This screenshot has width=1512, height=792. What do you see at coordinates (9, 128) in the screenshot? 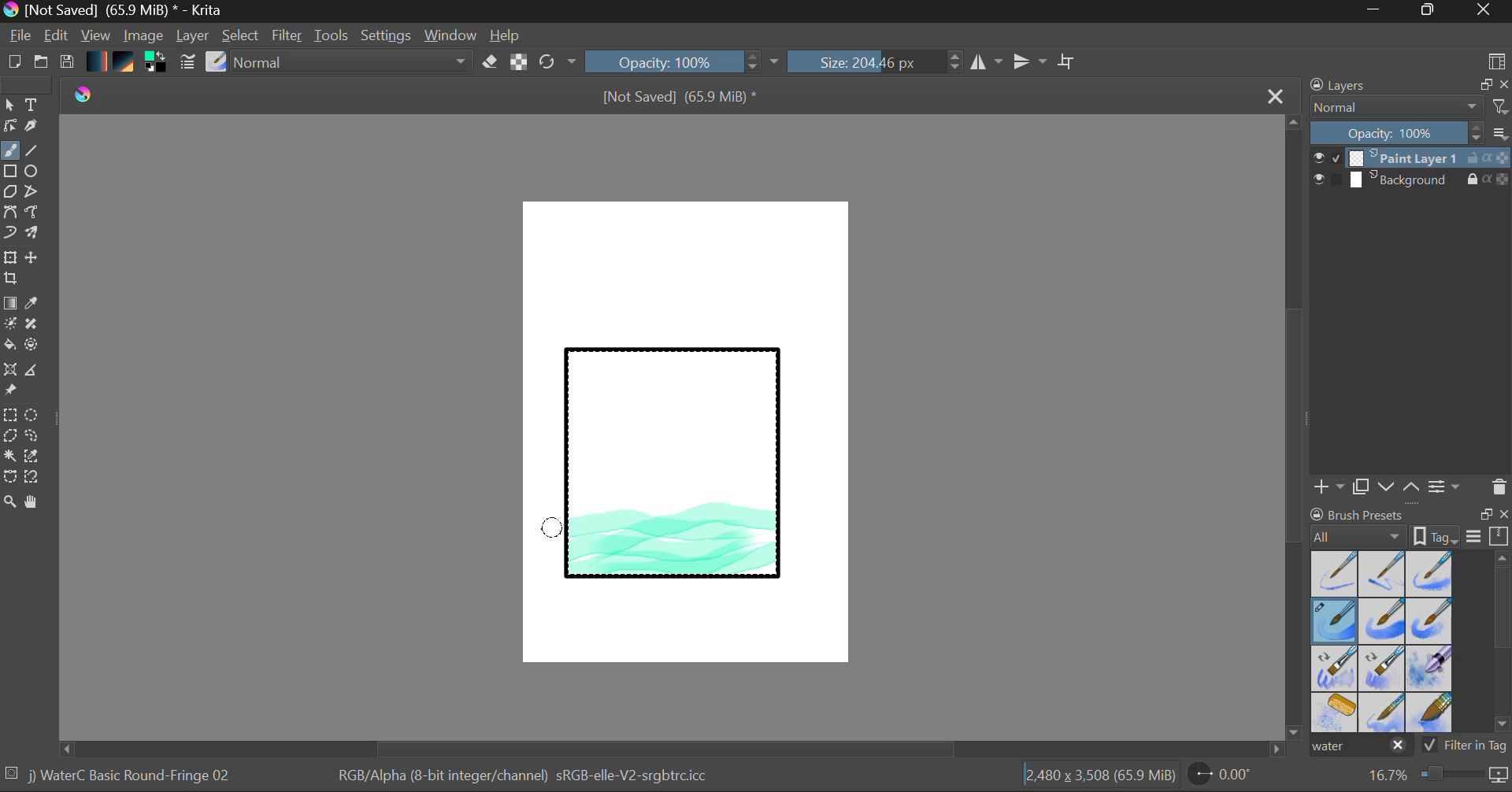
I see `Edit Shapes` at bounding box center [9, 128].